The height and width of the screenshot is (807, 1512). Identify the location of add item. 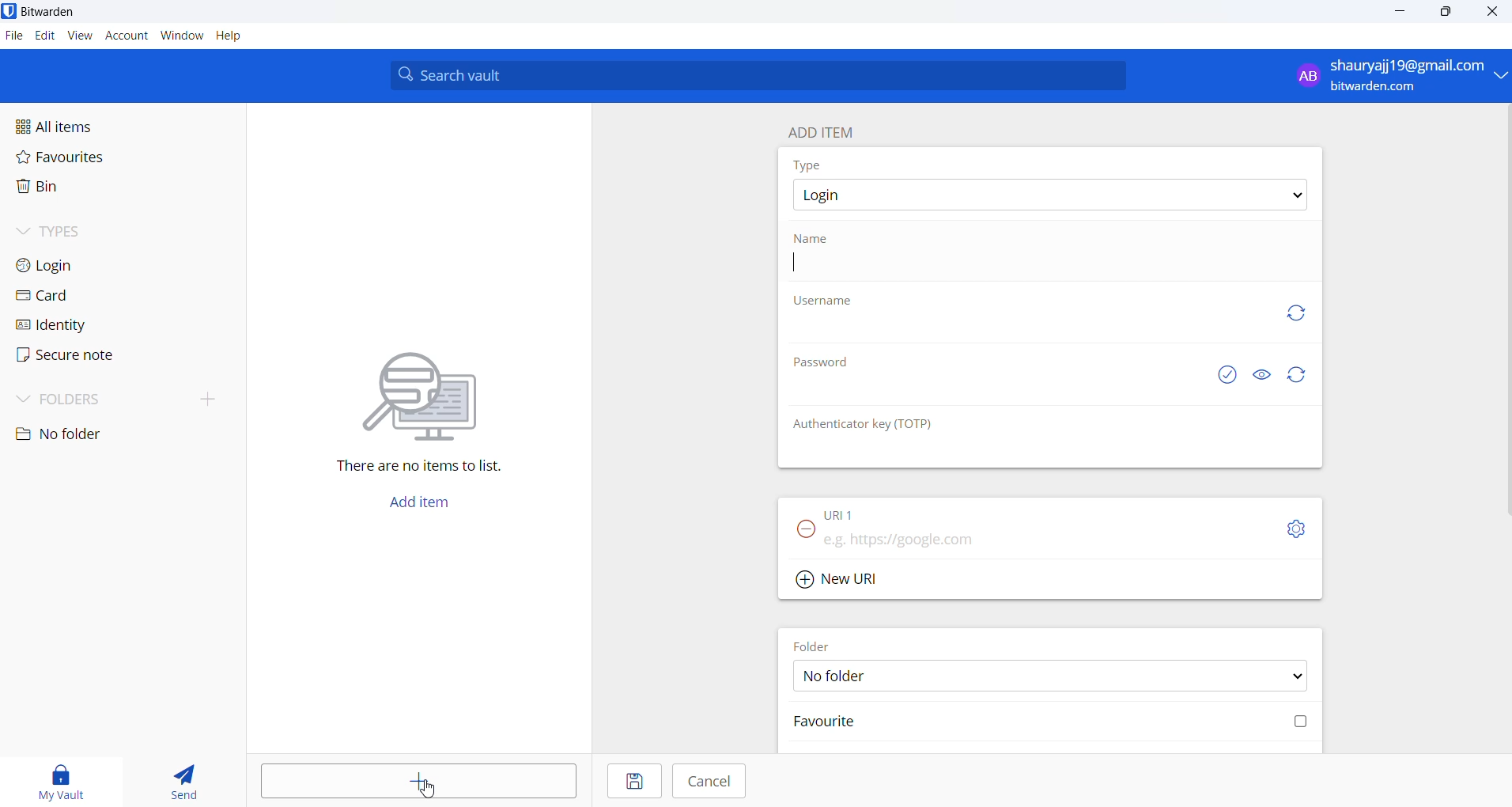
(422, 784).